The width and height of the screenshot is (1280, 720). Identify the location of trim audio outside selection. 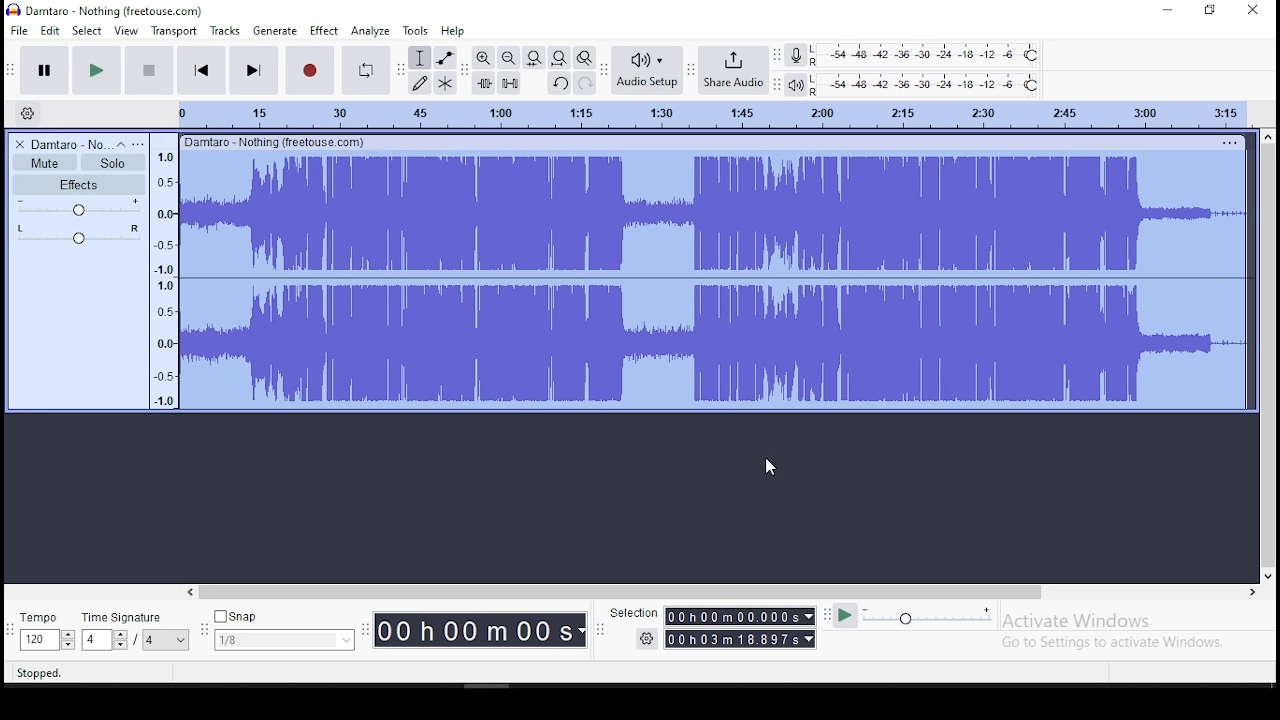
(483, 82).